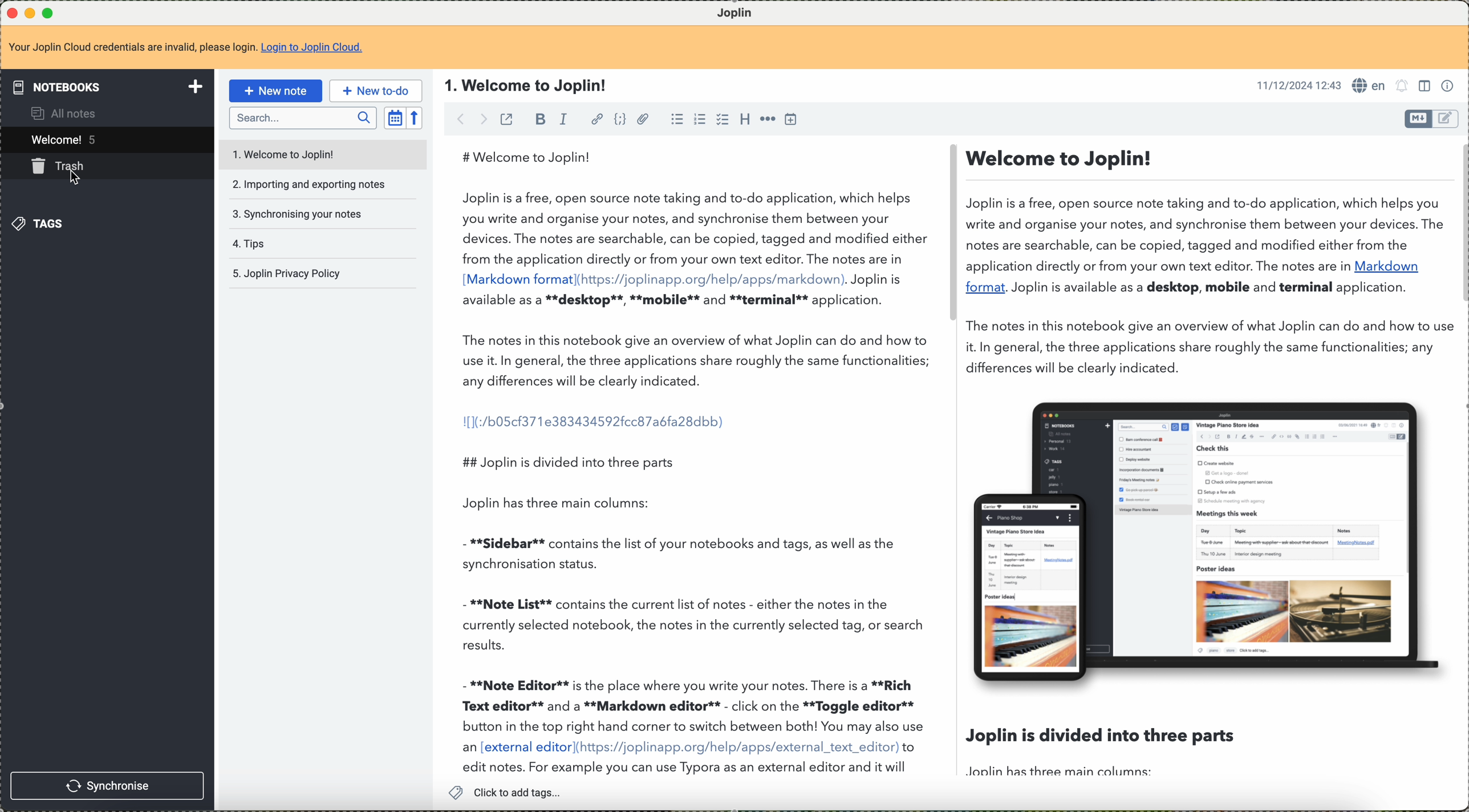 The image size is (1469, 812). I want to click on toggle editor, so click(1418, 119).